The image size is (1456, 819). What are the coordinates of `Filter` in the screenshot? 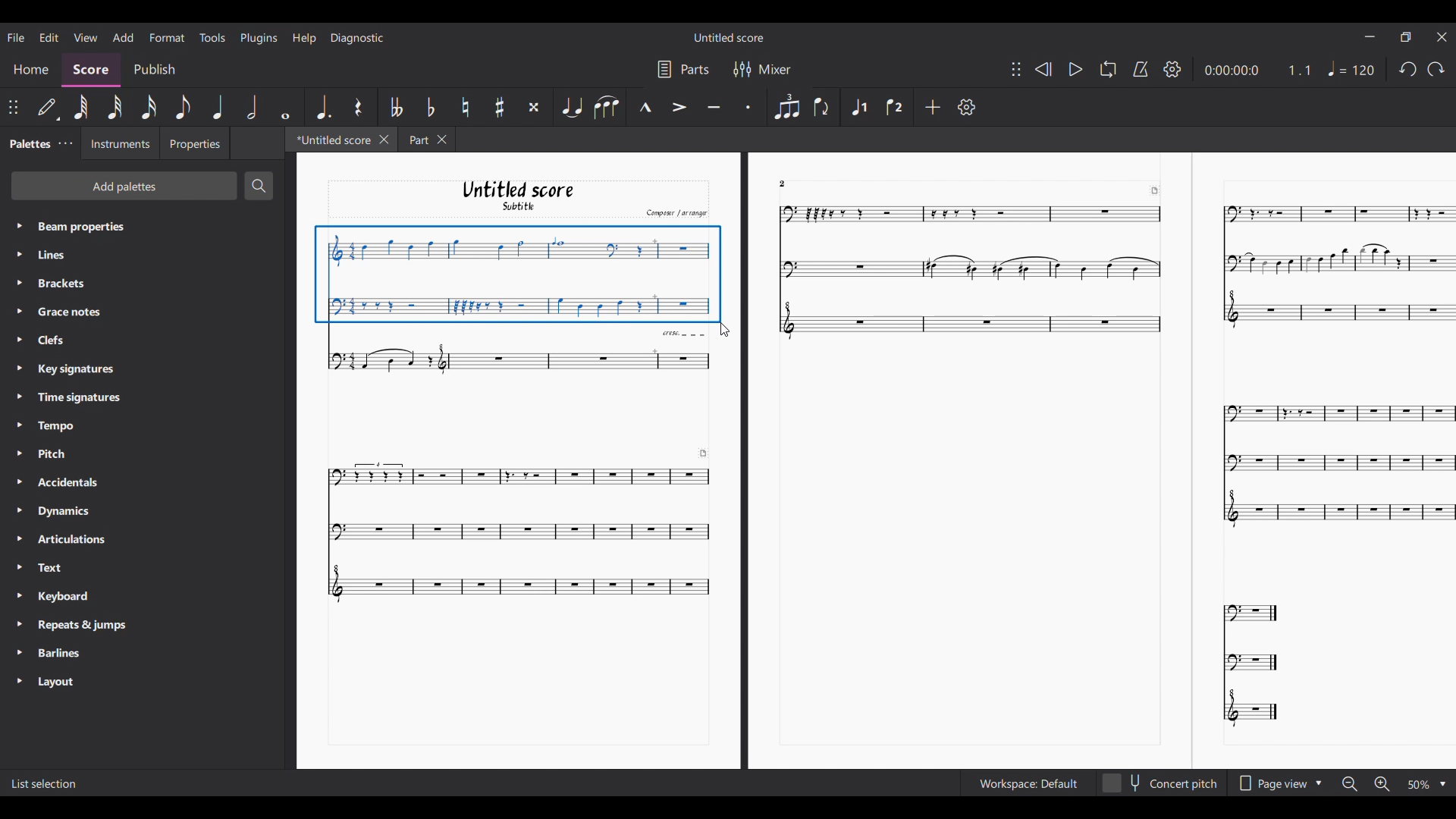 It's located at (740, 69).